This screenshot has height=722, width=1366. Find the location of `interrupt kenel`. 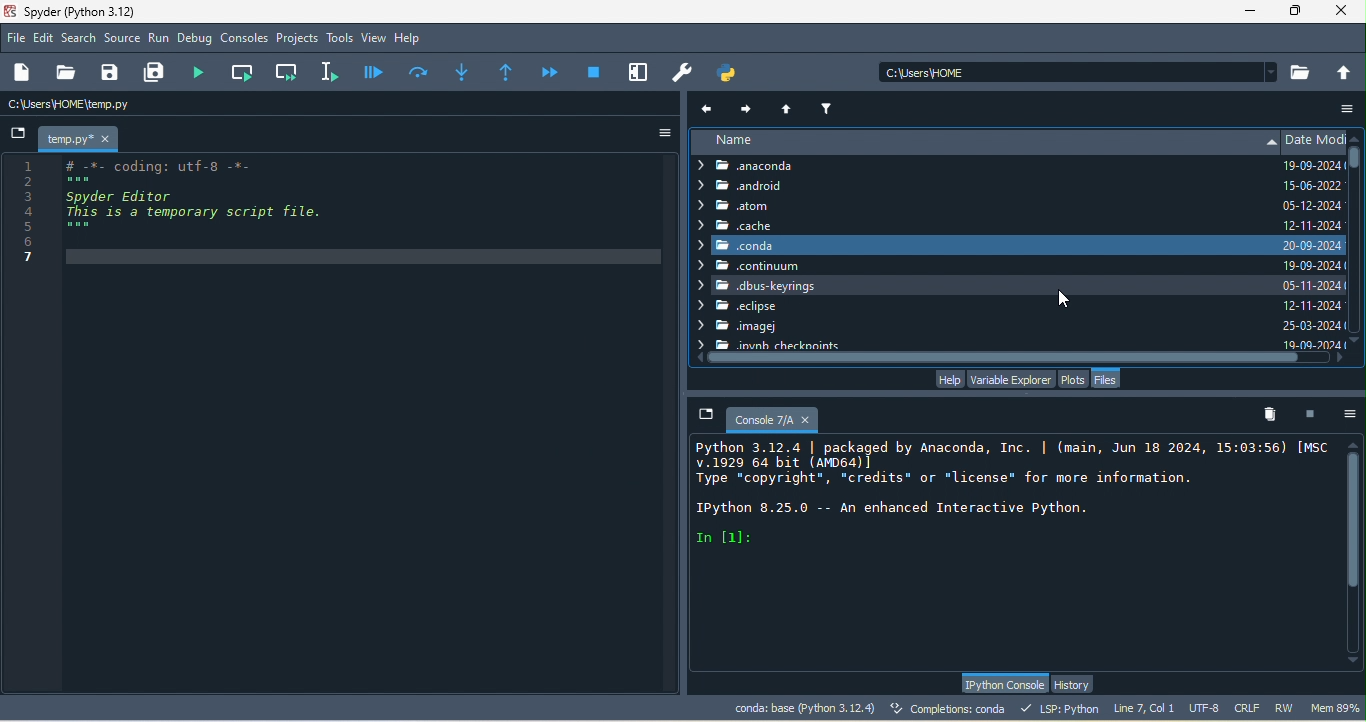

interrupt kenel is located at coordinates (1314, 413).